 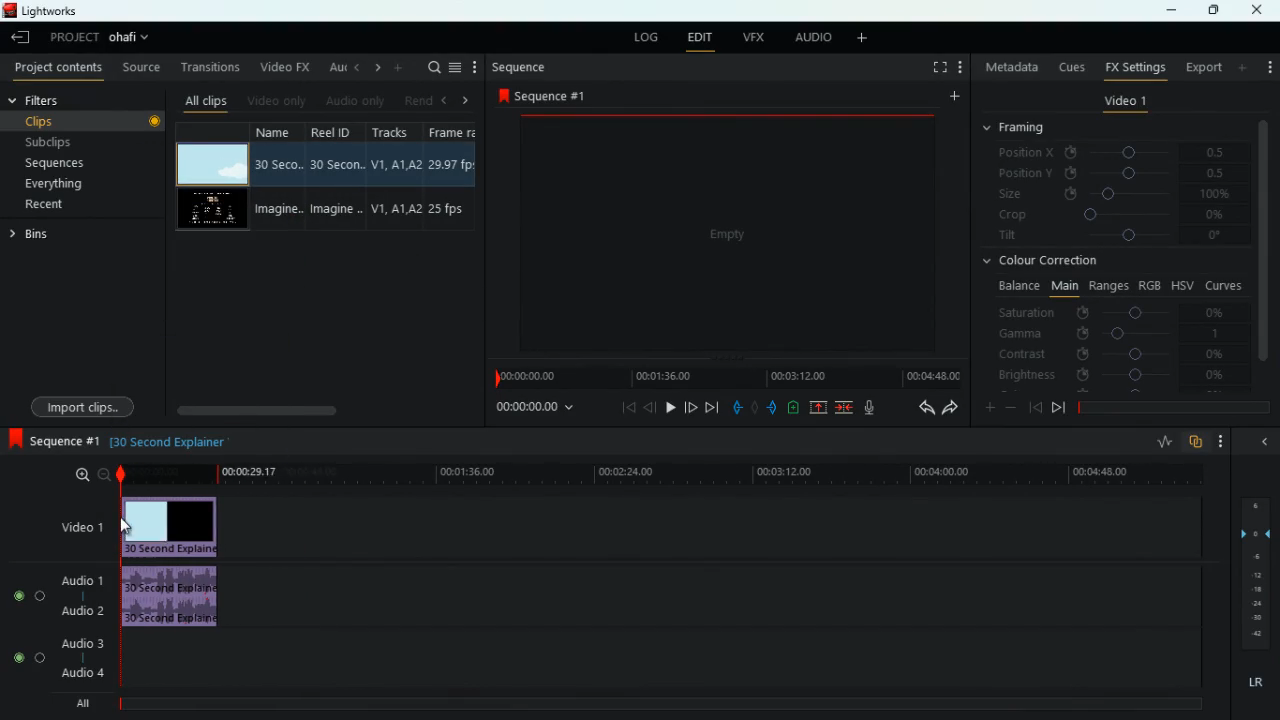 What do you see at coordinates (1182, 285) in the screenshot?
I see `hsv` at bounding box center [1182, 285].